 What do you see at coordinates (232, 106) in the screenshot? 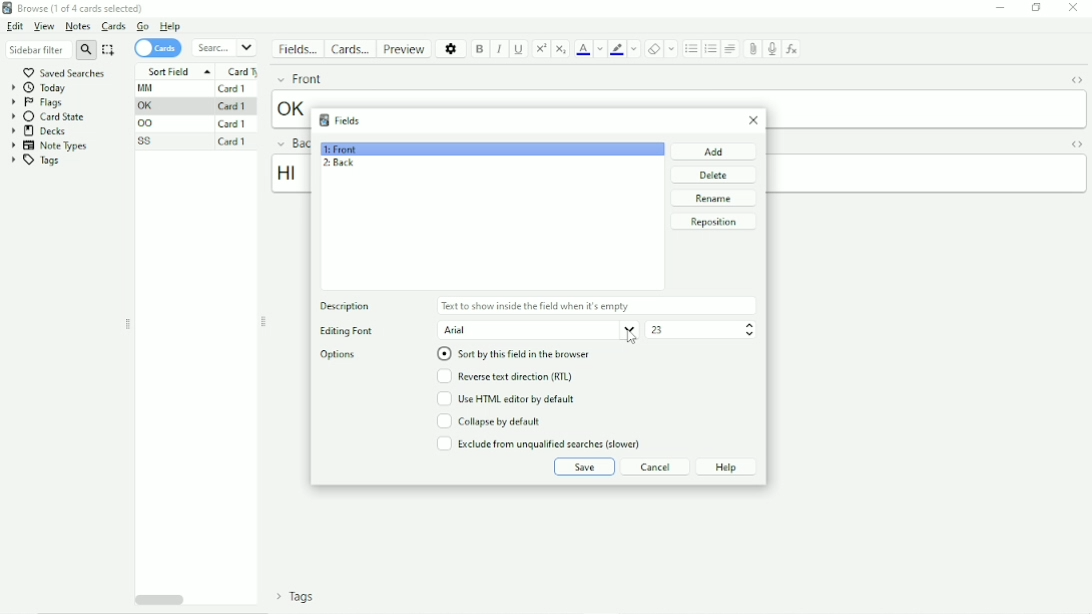
I see `Card 1` at bounding box center [232, 106].